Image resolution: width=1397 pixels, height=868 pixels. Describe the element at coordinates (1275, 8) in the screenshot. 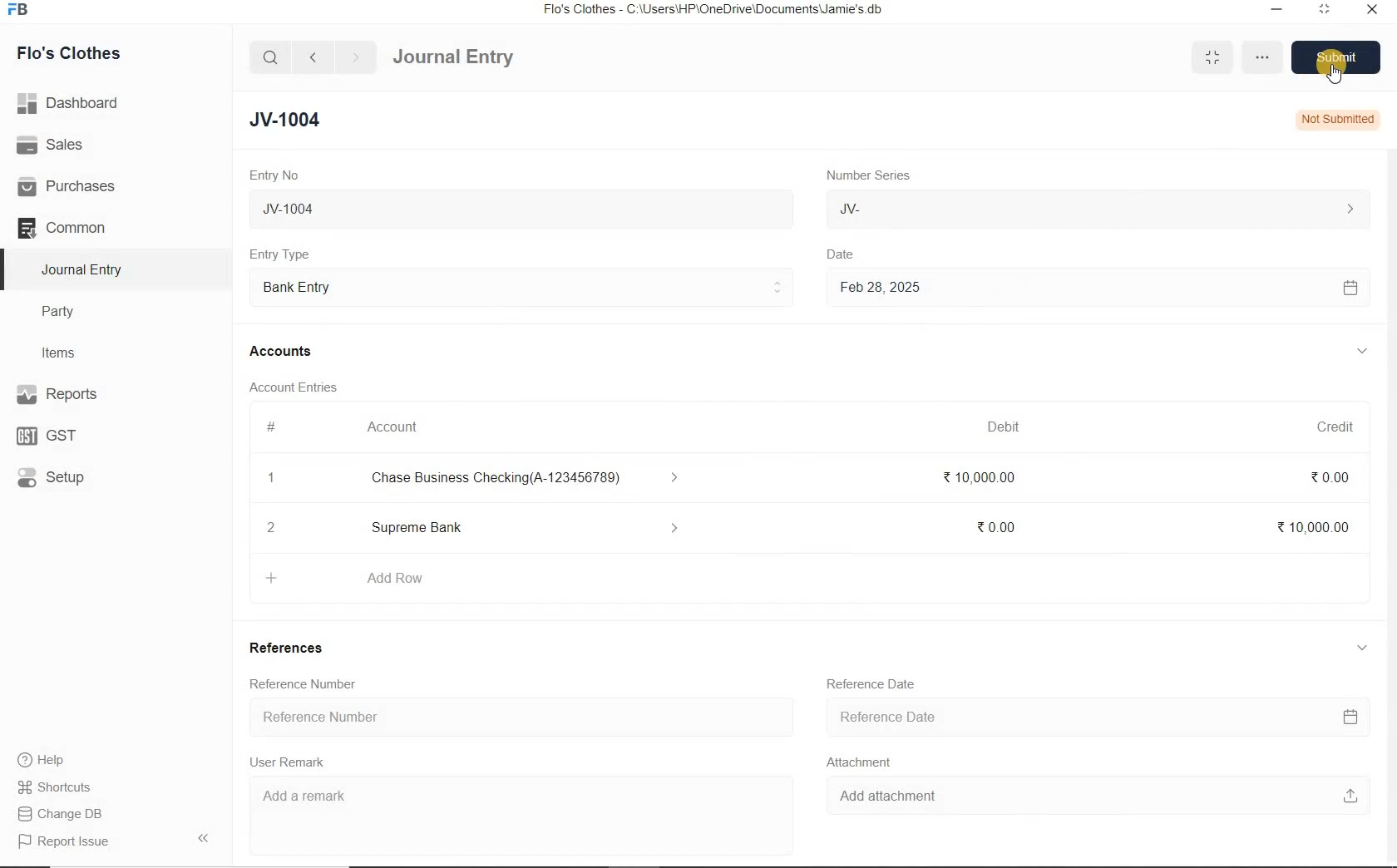

I see `minimize` at that location.